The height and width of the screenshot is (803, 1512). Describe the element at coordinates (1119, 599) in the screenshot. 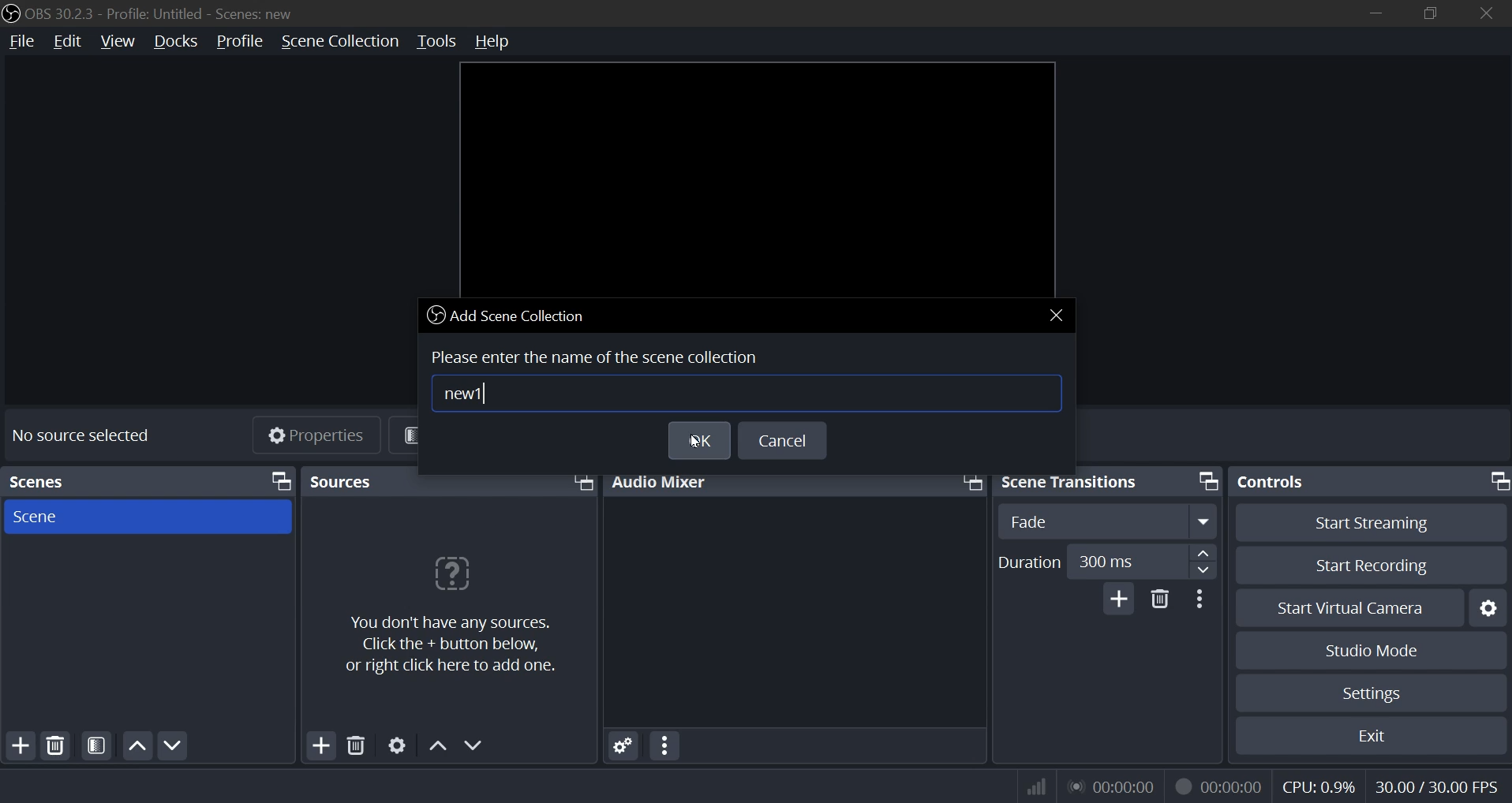

I see `add` at that location.